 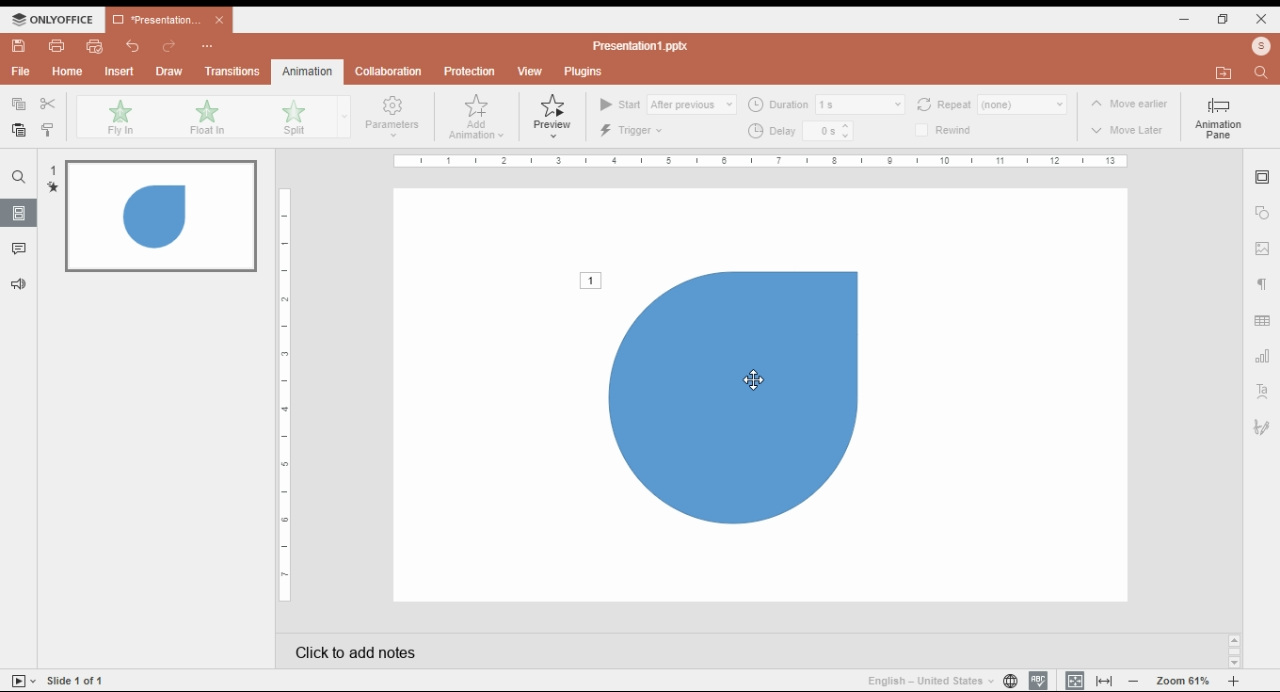 I want to click on view, so click(x=529, y=72).